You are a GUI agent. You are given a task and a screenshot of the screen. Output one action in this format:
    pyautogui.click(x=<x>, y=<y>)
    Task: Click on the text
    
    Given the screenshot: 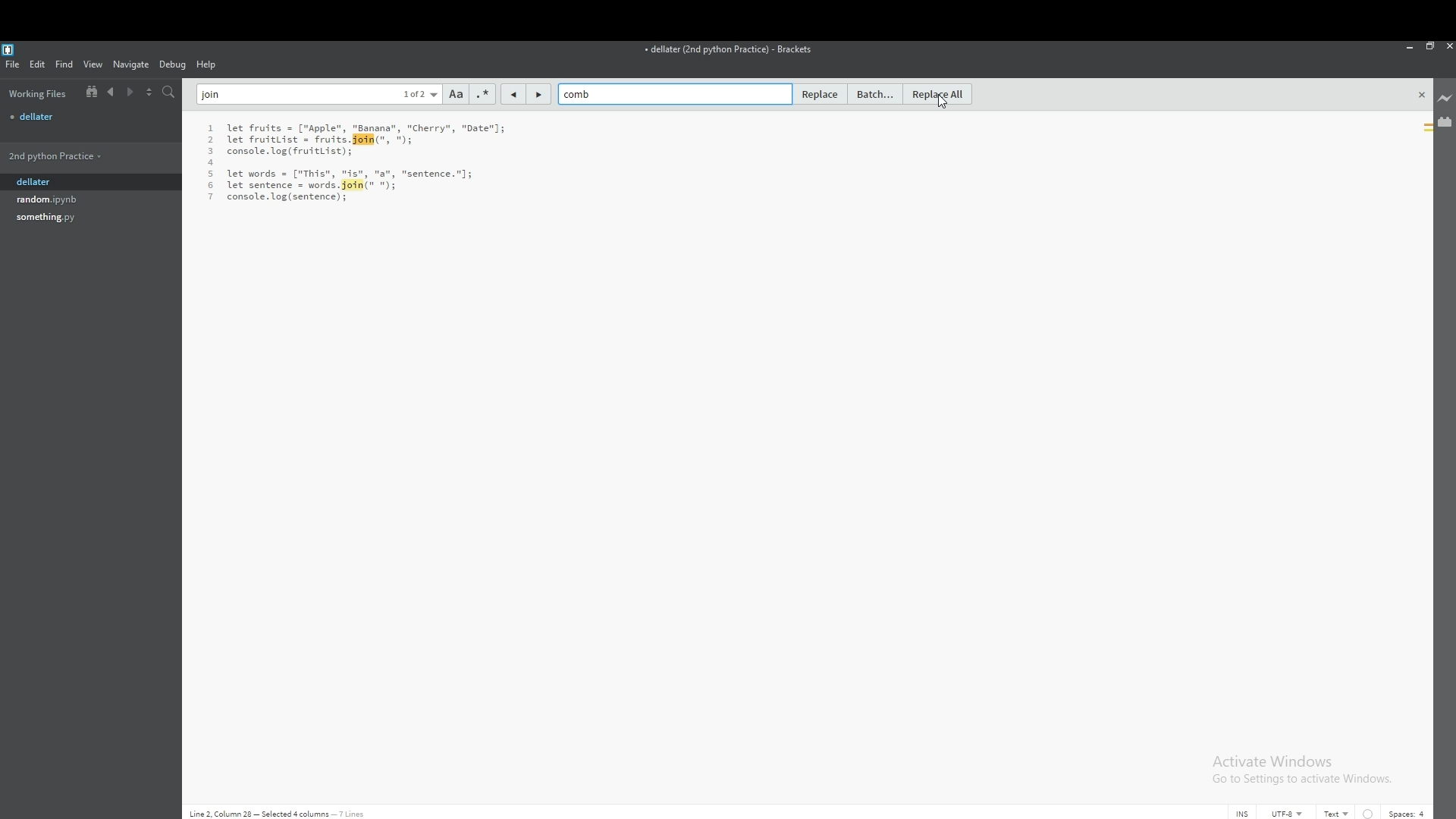 What is the action you would take?
    pyautogui.click(x=1338, y=813)
    